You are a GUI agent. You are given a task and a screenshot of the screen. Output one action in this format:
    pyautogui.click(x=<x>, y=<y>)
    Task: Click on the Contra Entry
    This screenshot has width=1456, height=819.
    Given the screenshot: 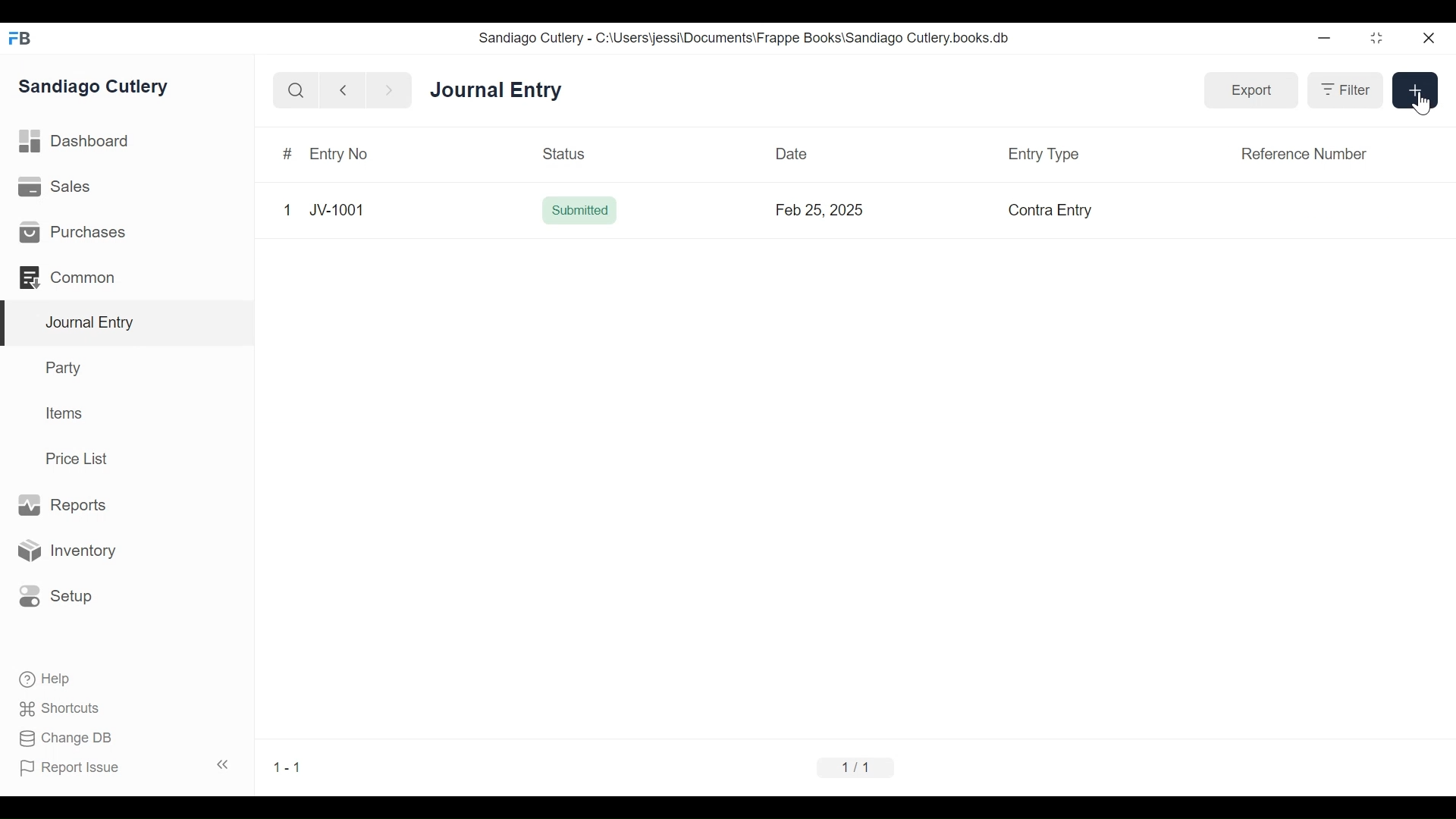 What is the action you would take?
    pyautogui.click(x=1051, y=211)
    